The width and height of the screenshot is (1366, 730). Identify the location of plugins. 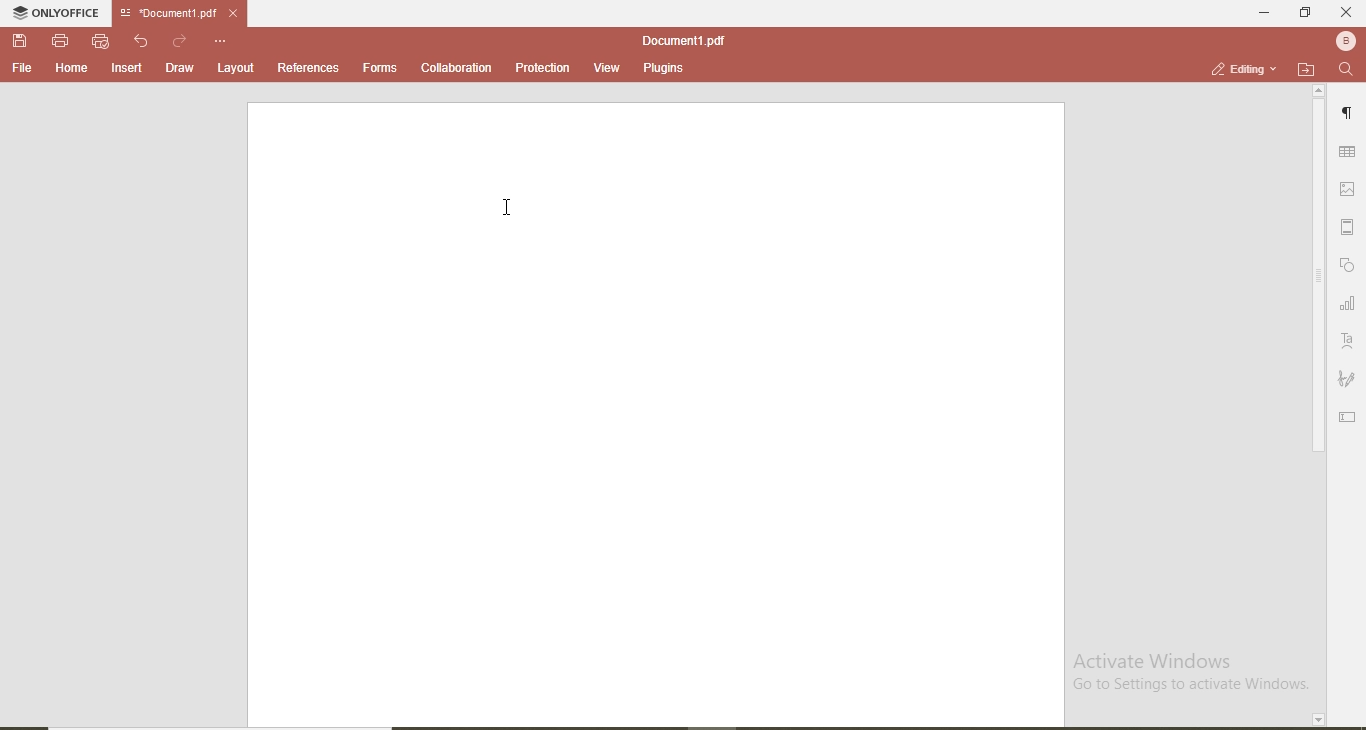
(665, 69).